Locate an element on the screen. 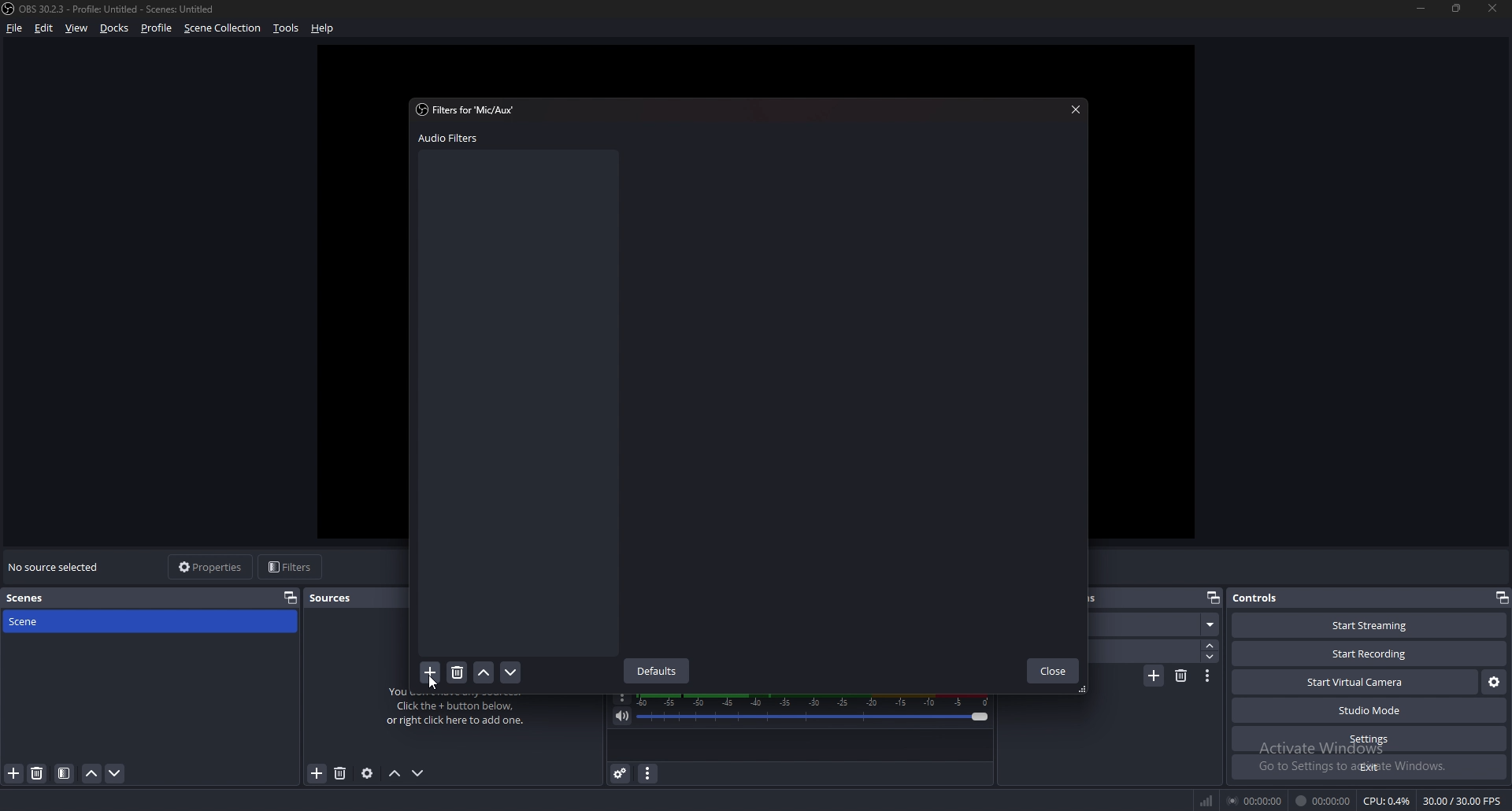 This screenshot has height=811, width=1512. duration is located at coordinates (1145, 652).